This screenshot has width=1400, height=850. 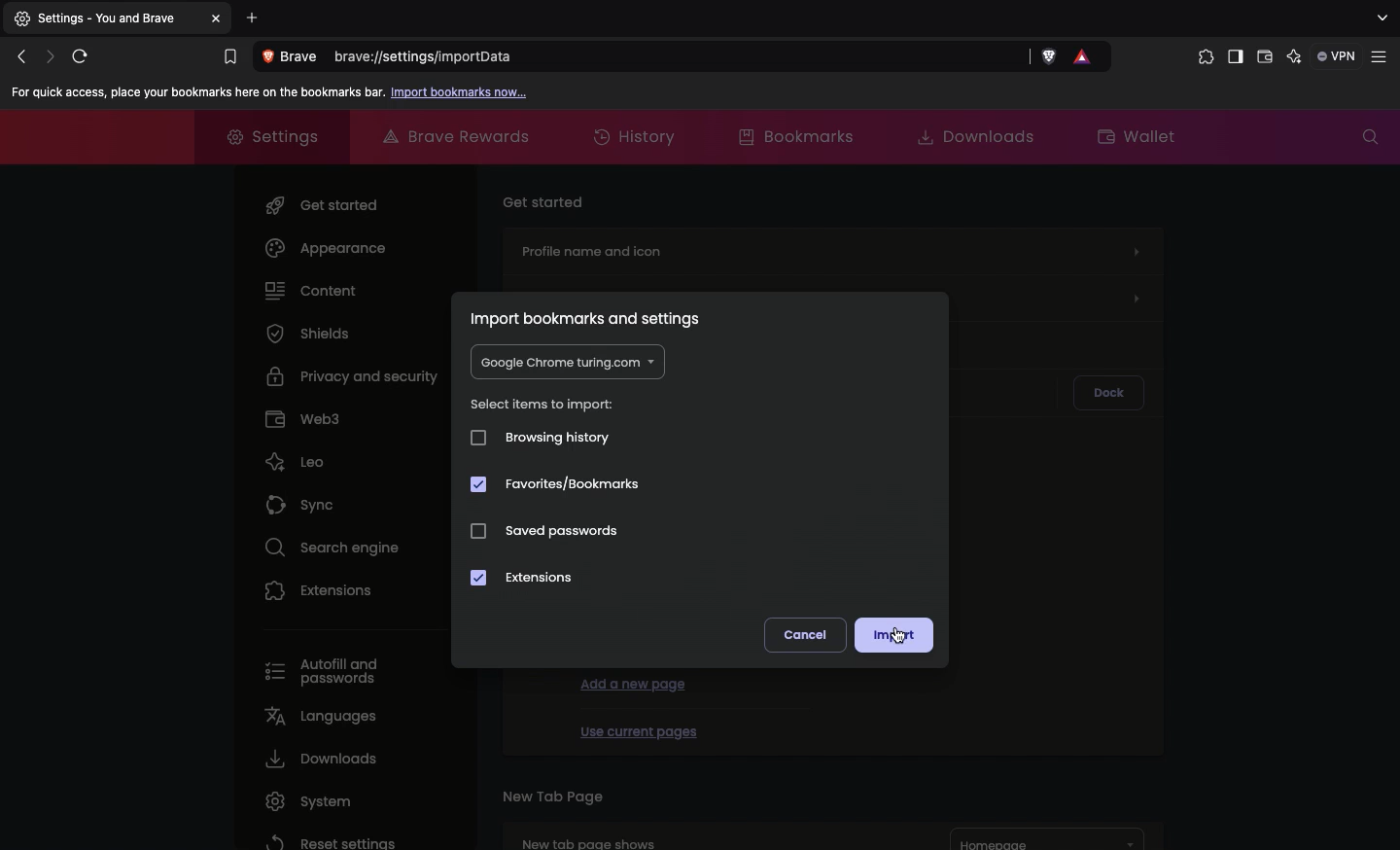 What do you see at coordinates (634, 683) in the screenshot?
I see `Add a new page` at bounding box center [634, 683].